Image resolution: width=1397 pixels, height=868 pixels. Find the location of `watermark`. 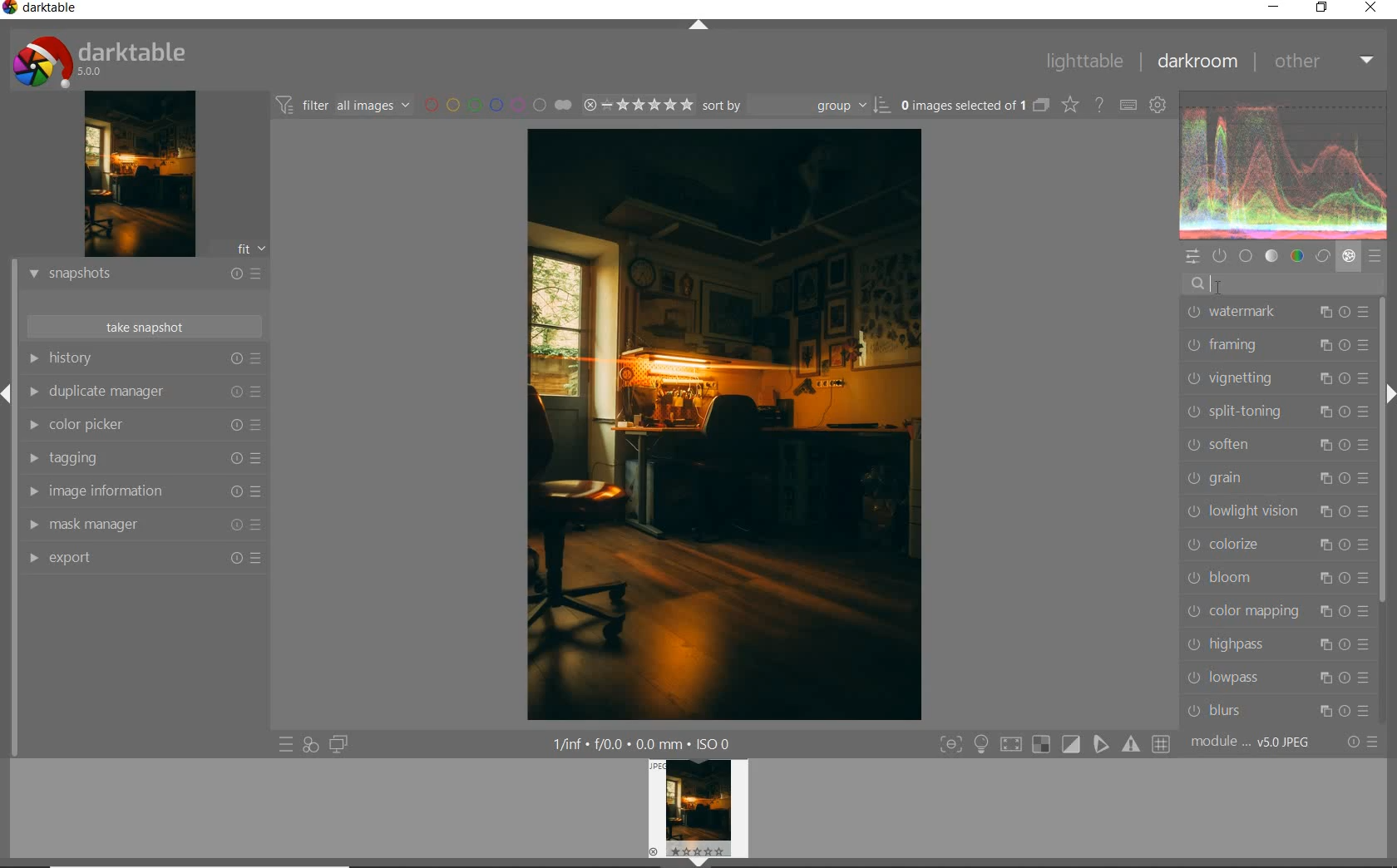

watermark is located at coordinates (1277, 313).